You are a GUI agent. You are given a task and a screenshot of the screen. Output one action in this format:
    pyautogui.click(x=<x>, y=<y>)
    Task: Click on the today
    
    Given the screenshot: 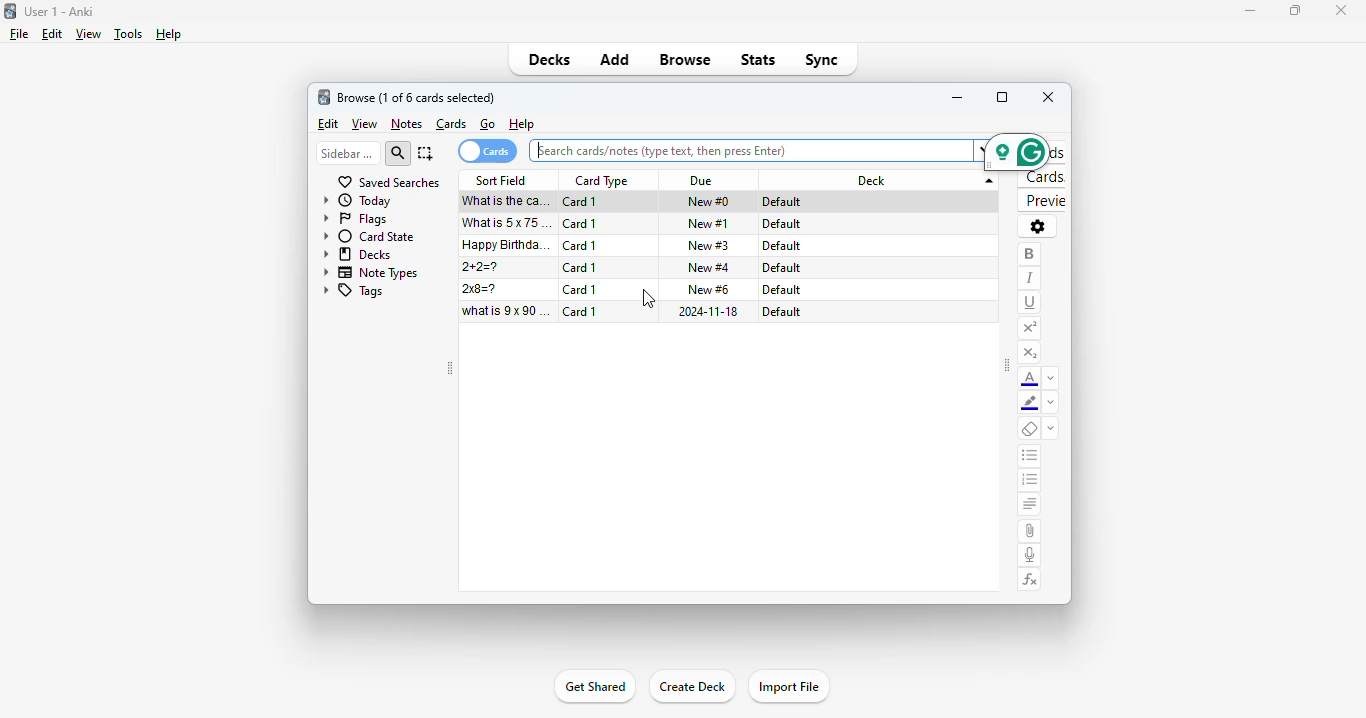 What is the action you would take?
    pyautogui.click(x=358, y=201)
    